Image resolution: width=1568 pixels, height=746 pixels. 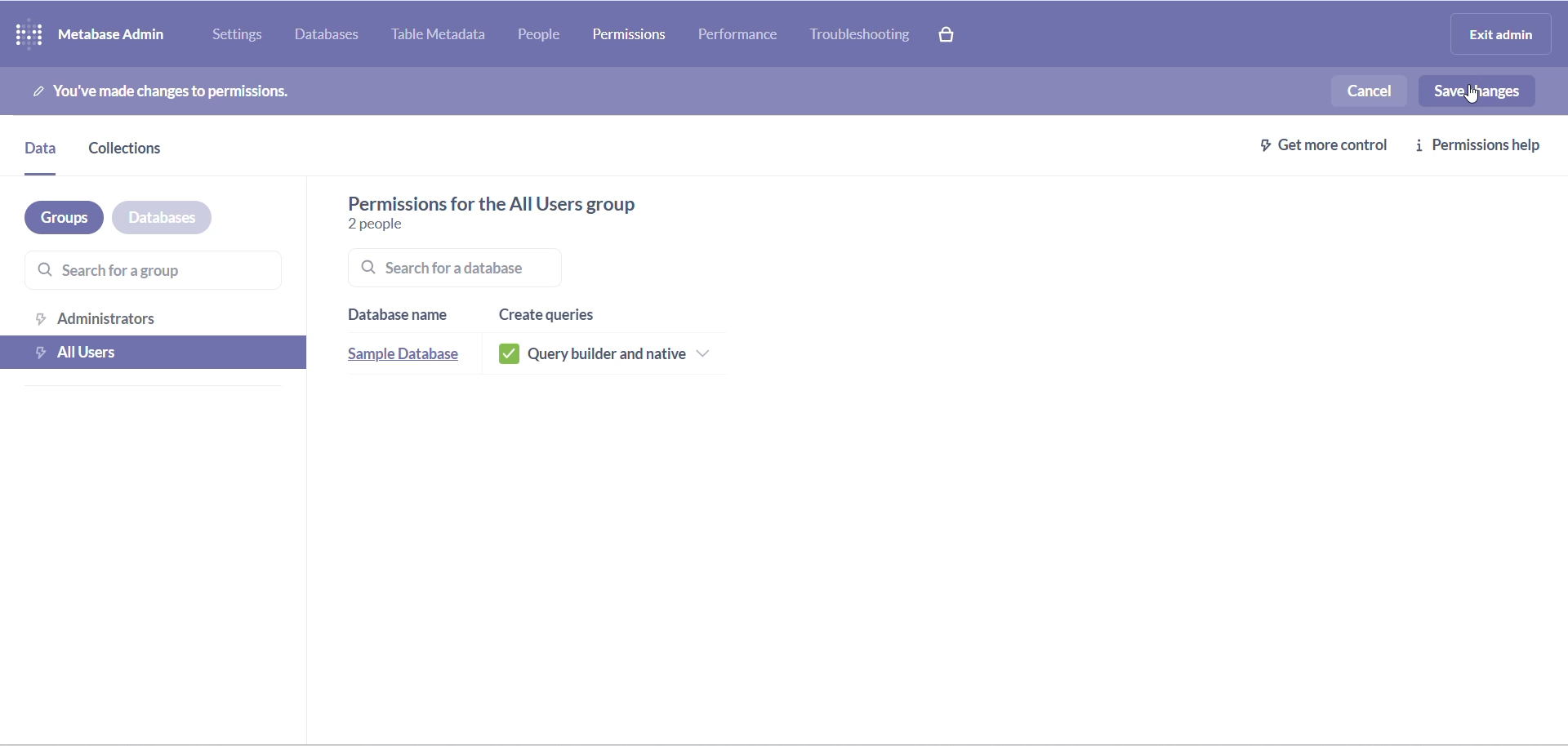 What do you see at coordinates (331, 37) in the screenshot?
I see `databases` at bounding box center [331, 37].